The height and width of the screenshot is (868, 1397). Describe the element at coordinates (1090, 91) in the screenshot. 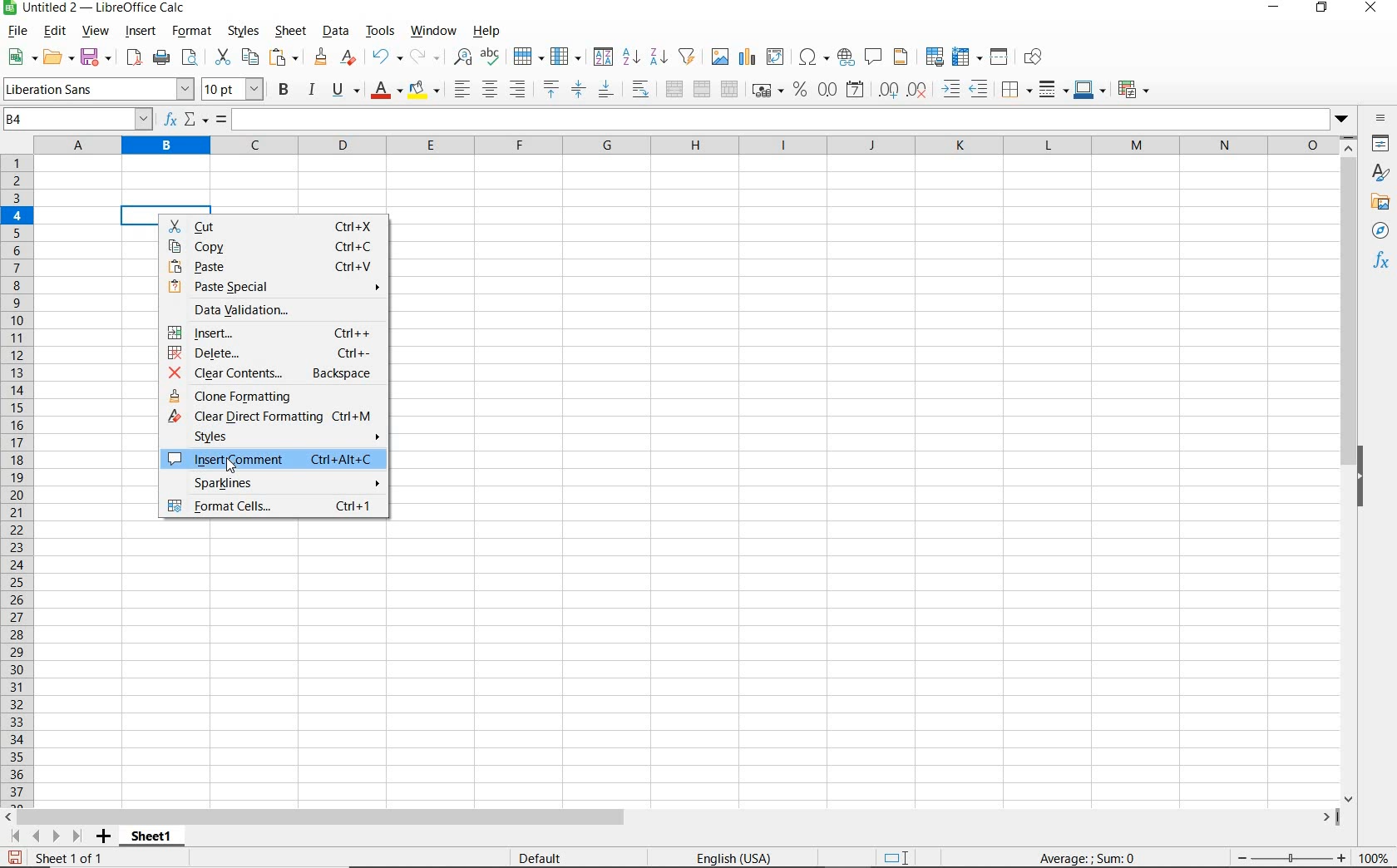

I see `border color` at that location.